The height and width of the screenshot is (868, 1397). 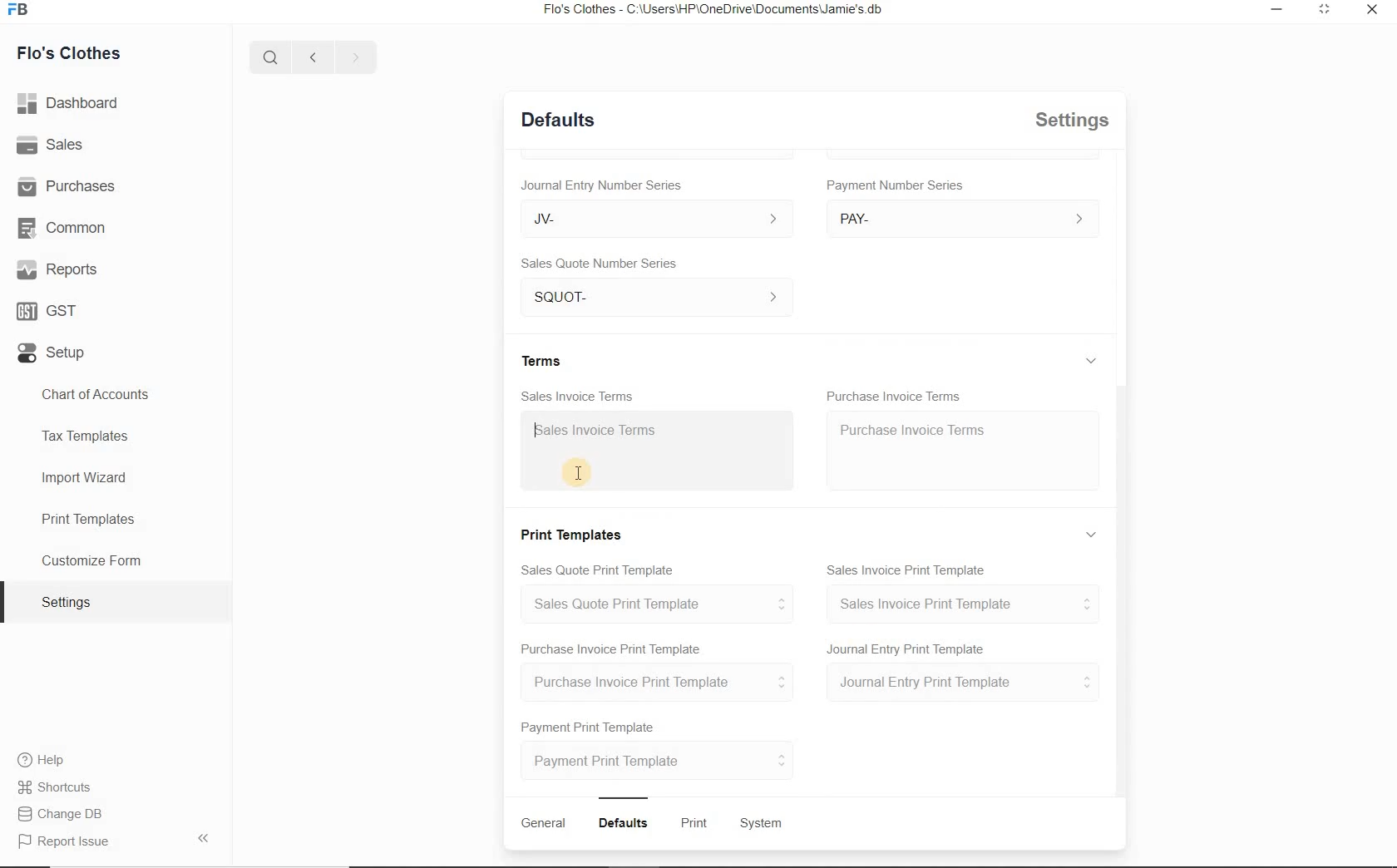 What do you see at coordinates (612, 650) in the screenshot?
I see `Purchase Invoice Print Template` at bounding box center [612, 650].